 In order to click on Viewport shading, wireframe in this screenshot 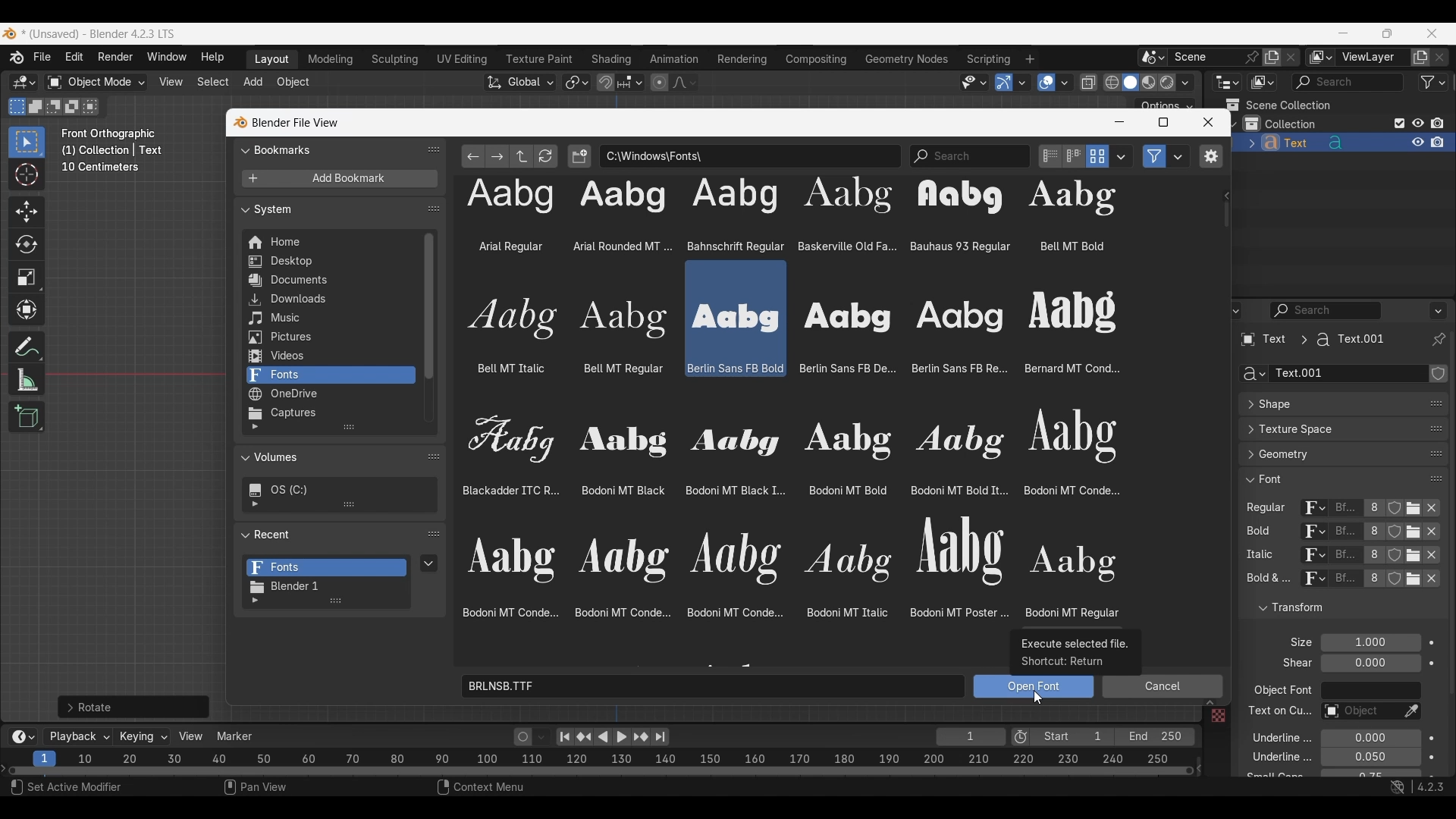, I will do `click(1112, 83)`.